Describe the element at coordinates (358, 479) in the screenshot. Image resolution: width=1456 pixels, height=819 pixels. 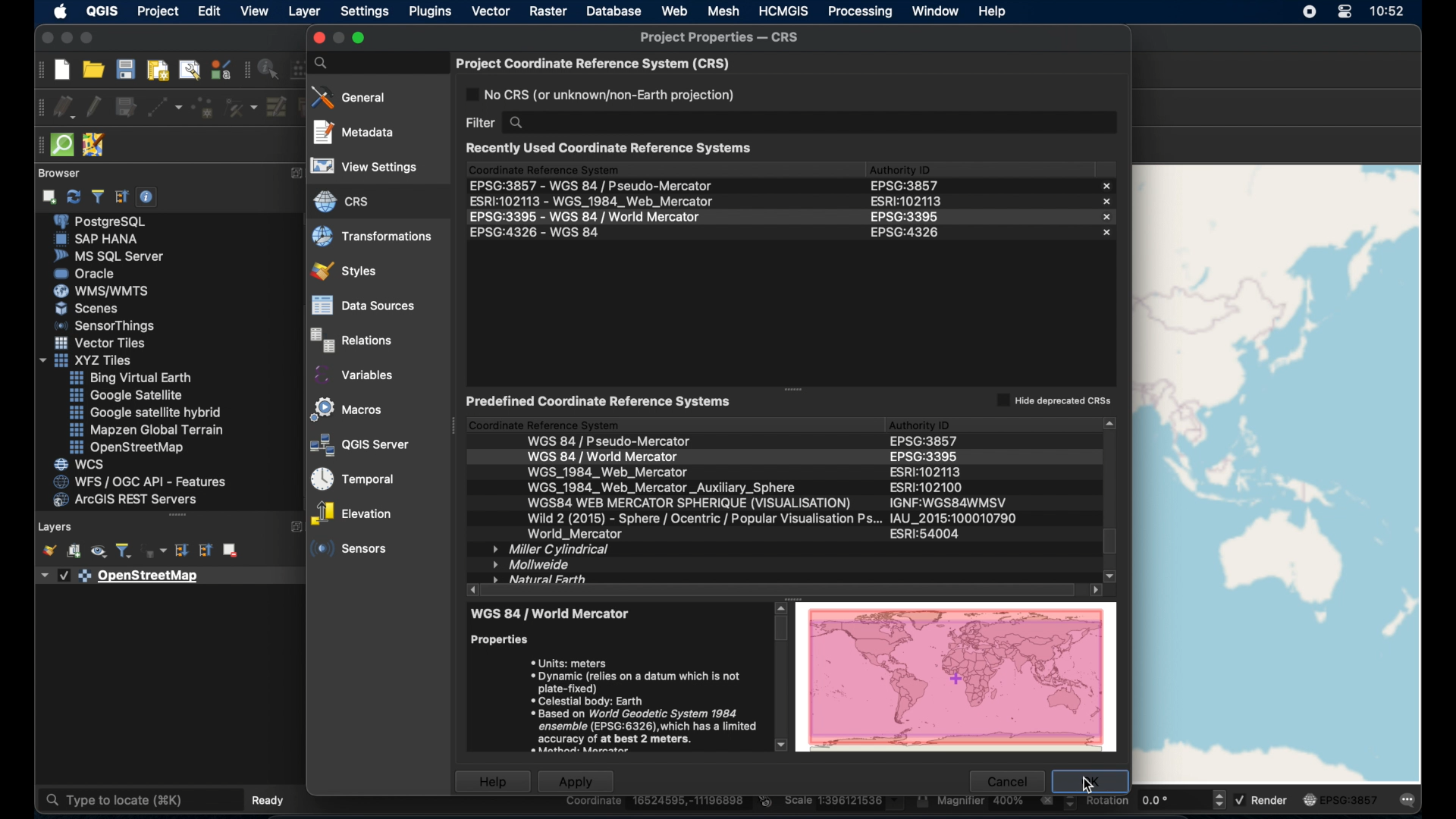
I see `temporal` at that location.